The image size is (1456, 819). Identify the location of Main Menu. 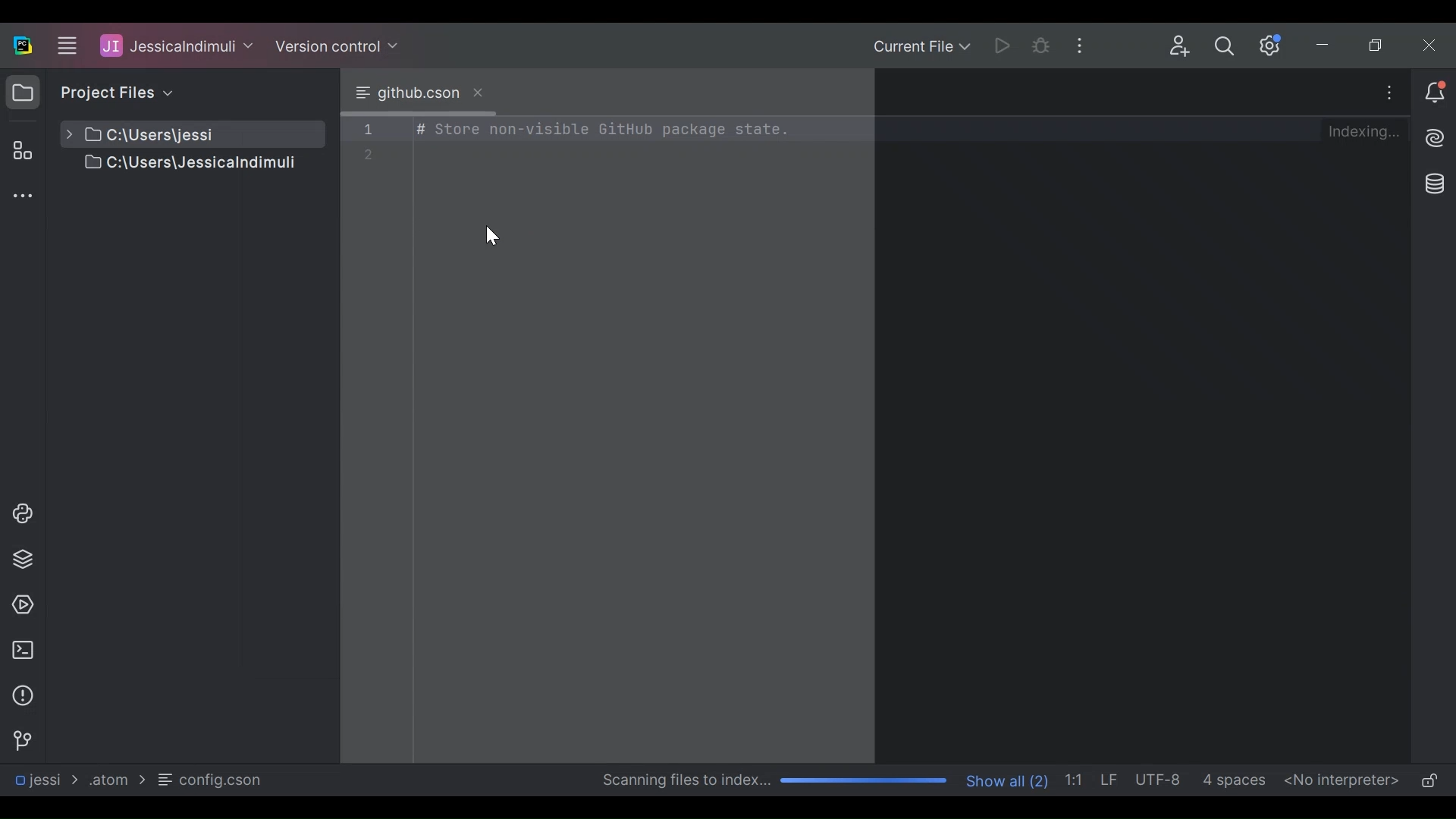
(65, 43).